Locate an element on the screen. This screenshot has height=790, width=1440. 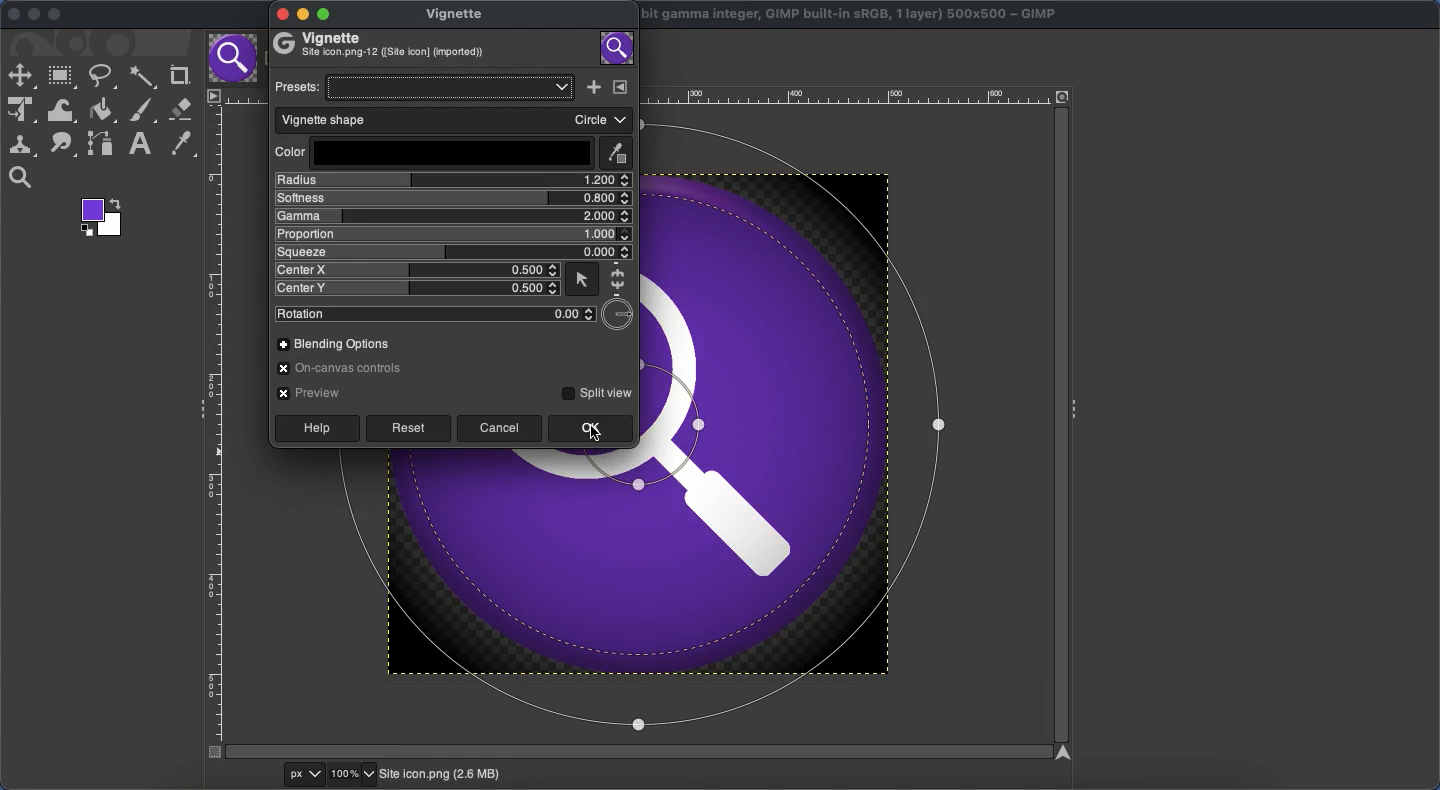
Rotation is located at coordinates (435, 314).